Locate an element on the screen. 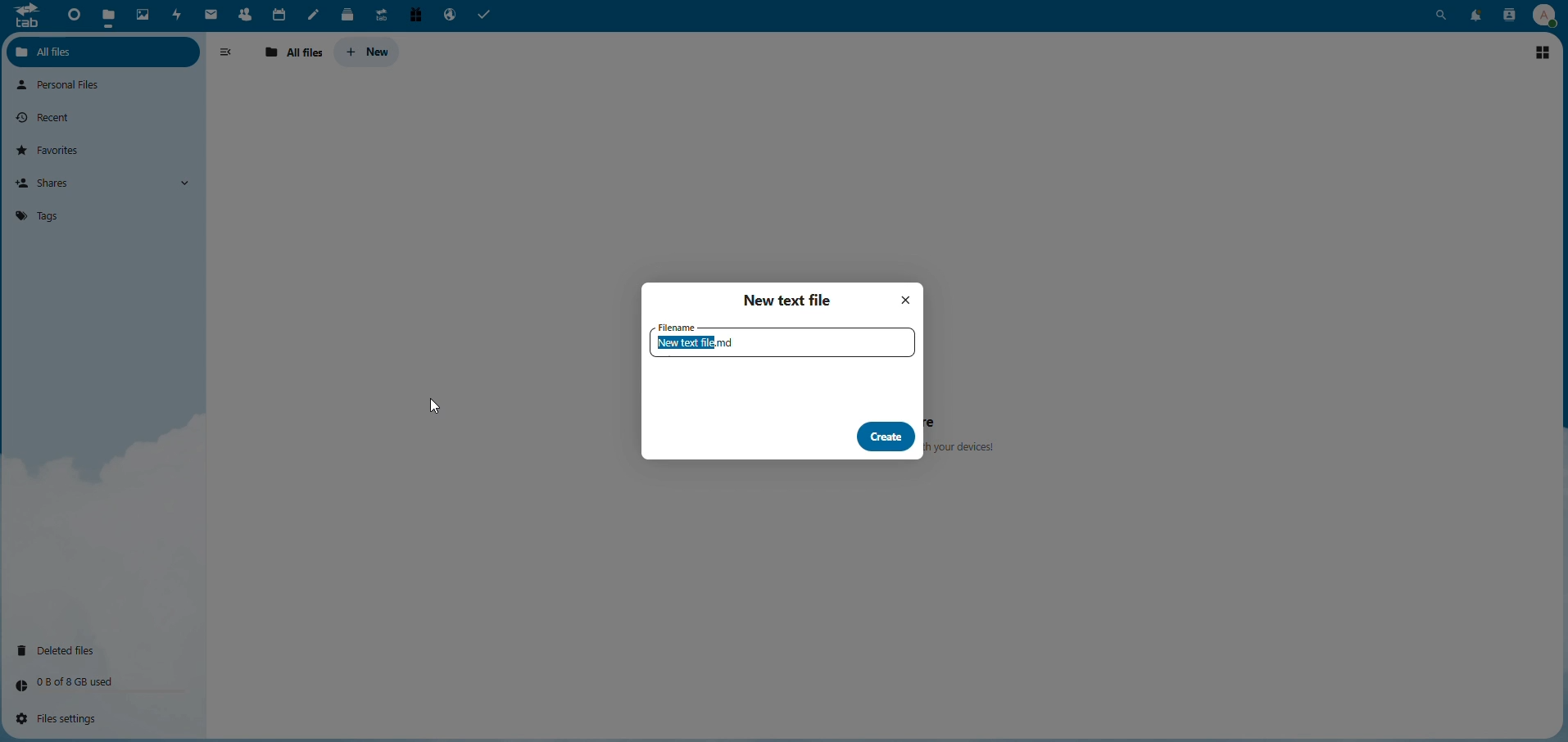  Notification is located at coordinates (1473, 15).